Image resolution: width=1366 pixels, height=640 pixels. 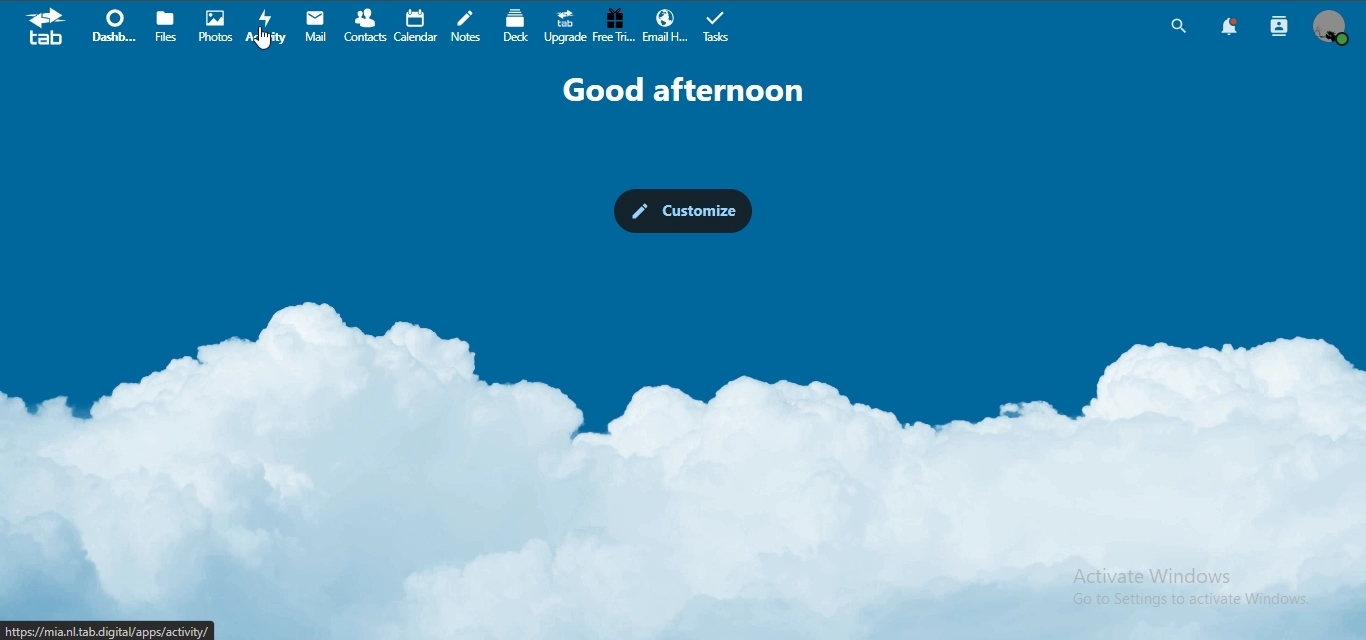 What do you see at coordinates (613, 26) in the screenshot?
I see `free trial` at bounding box center [613, 26].